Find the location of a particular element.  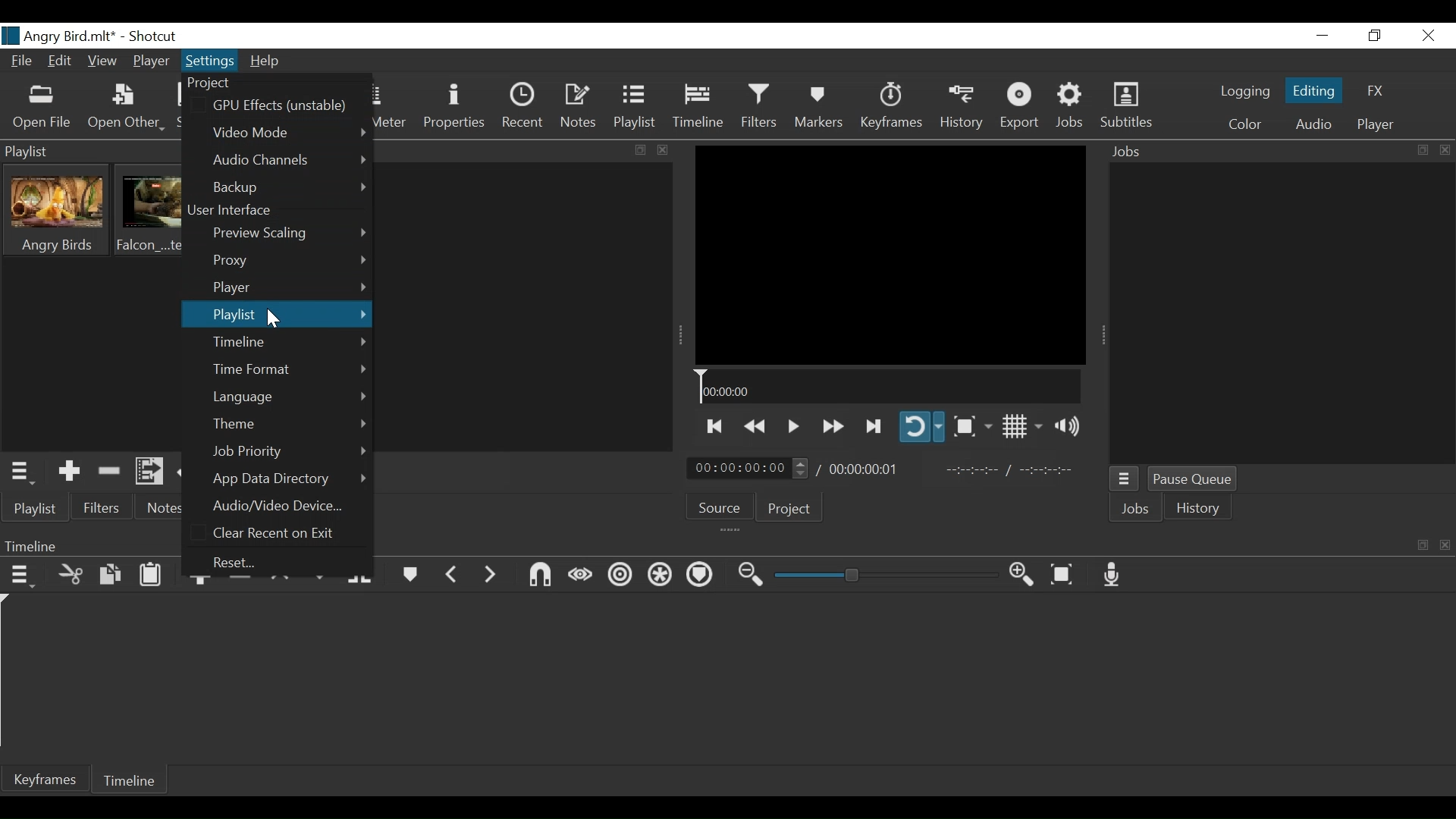

Audio Channel is located at coordinates (292, 159).